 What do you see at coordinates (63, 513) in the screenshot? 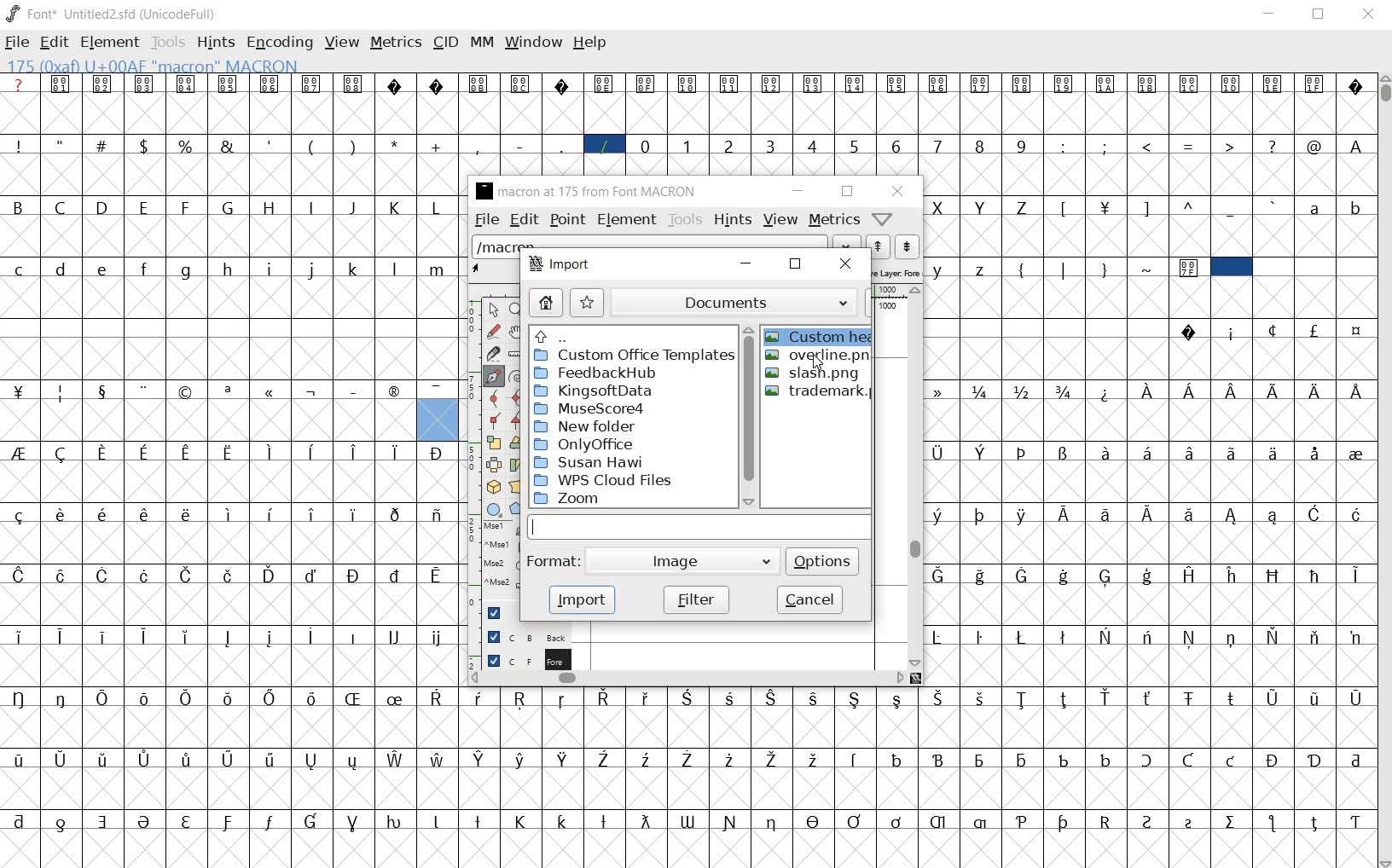
I see `Symbol` at bounding box center [63, 513].